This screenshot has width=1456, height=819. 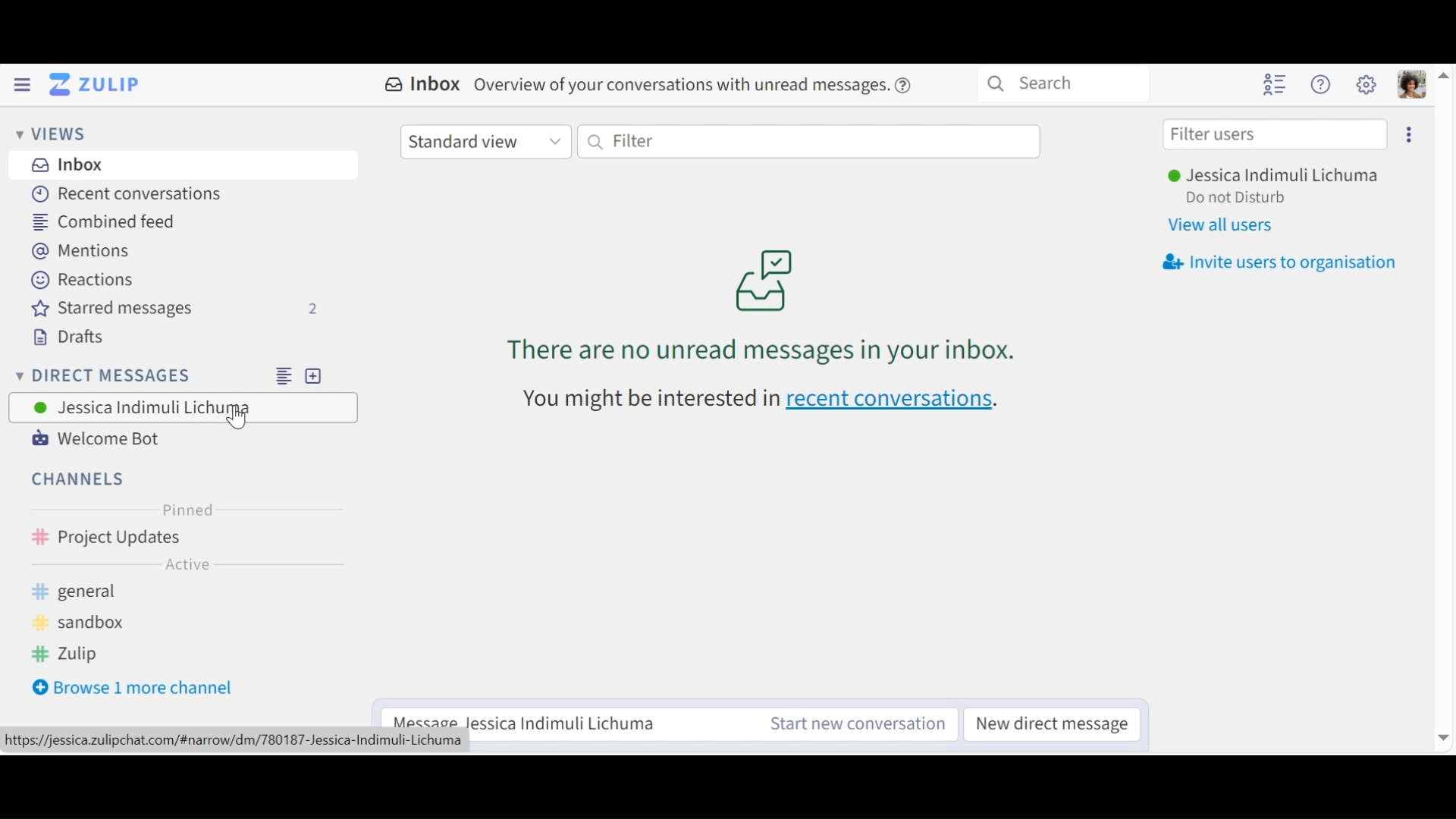 I want to click on Inbox, so click(x=77, y=164).